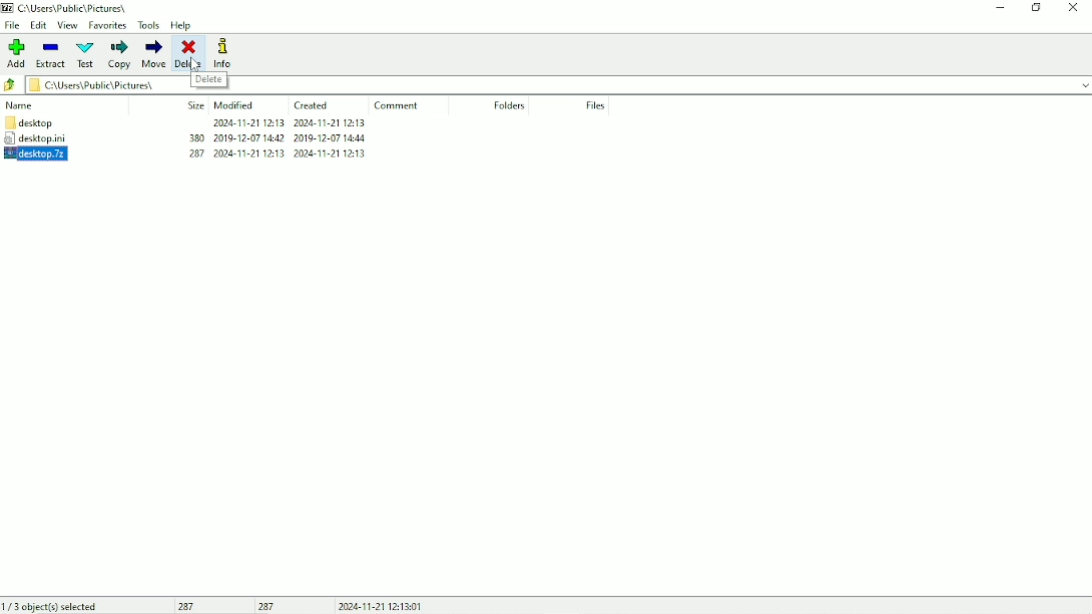 This screenshot has height=614, width=1092. I want to click on 380 2019-12-07 1442 2019-12-07 14M, so click(275, 139).